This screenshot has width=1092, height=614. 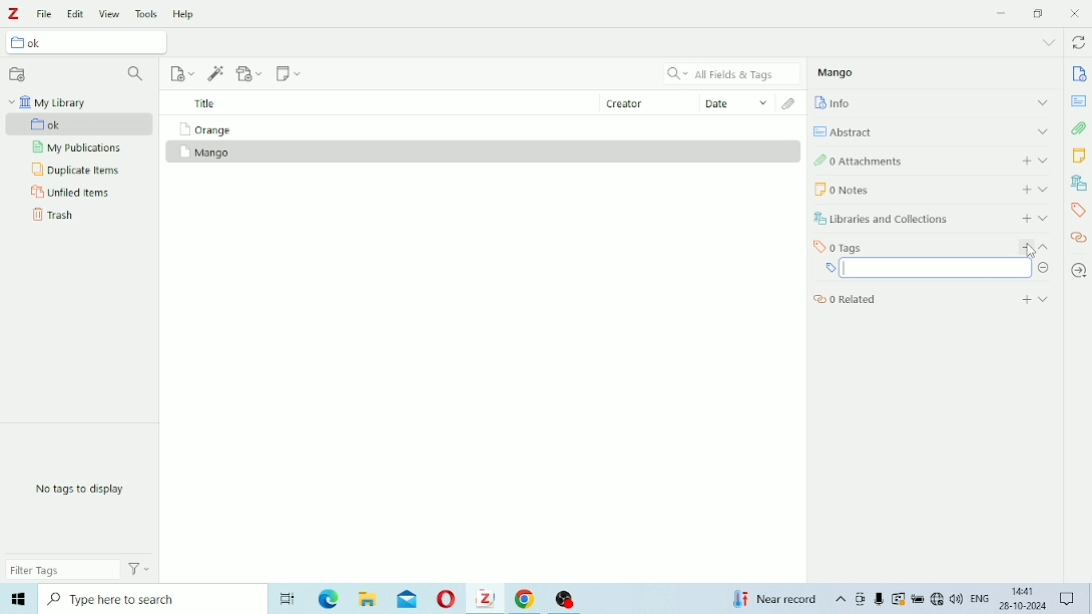 I want to click on List all tabs, so click(x=1050, y=43).